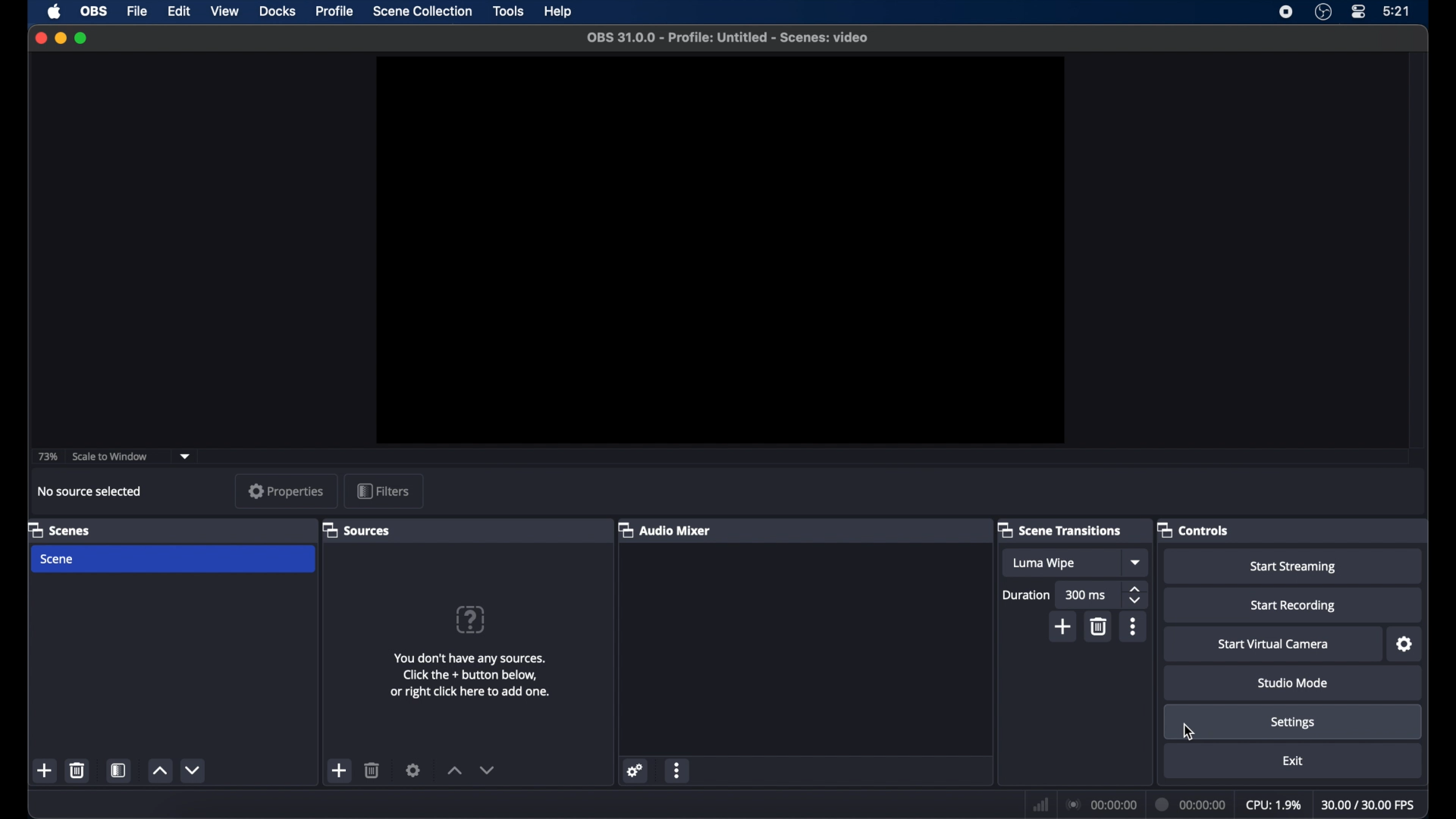  Describe the element at coordinates (1027, 595) in the screenshot. I see `duration` at that location.